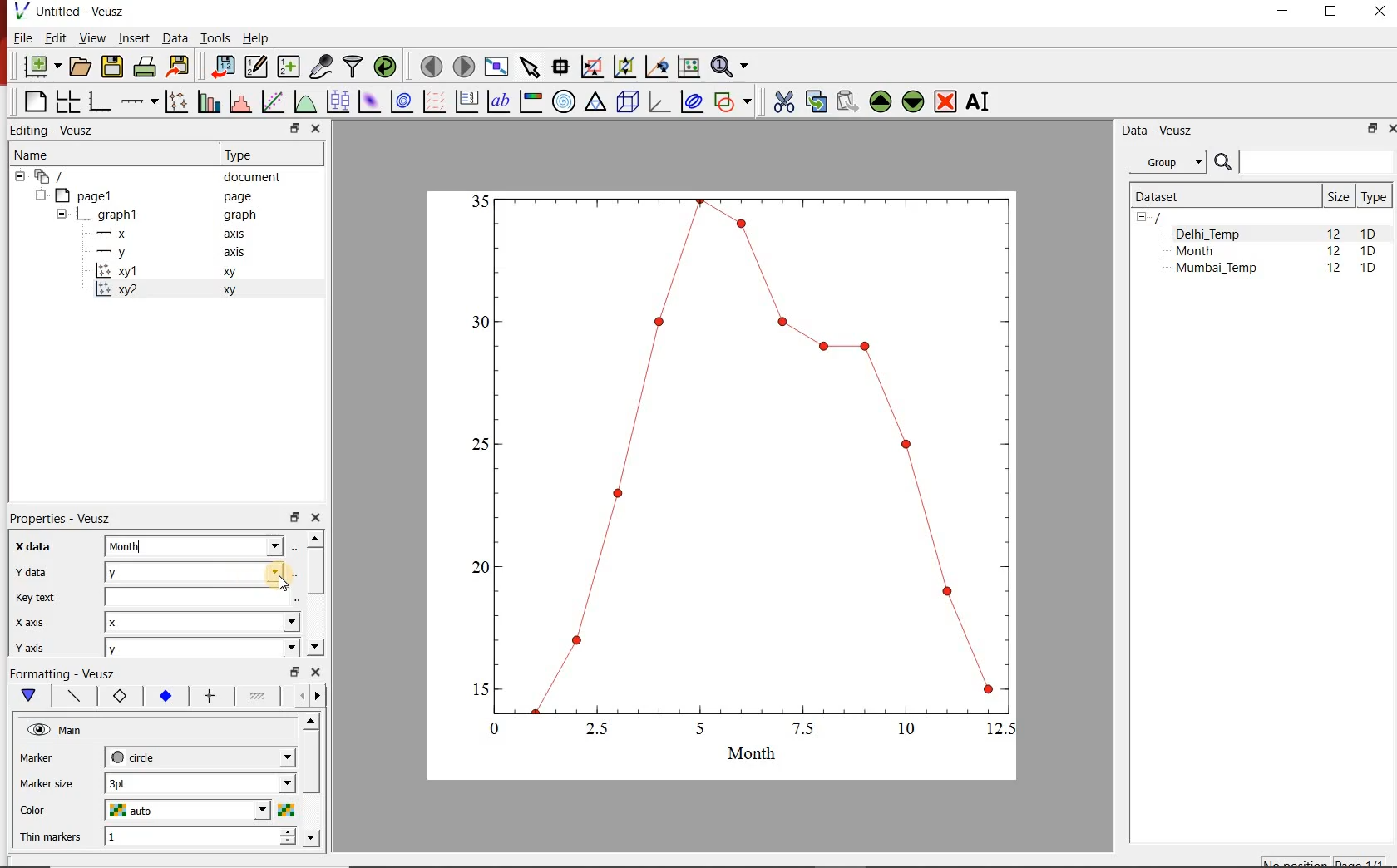  I want to click on plot a function, so click(305, 101).